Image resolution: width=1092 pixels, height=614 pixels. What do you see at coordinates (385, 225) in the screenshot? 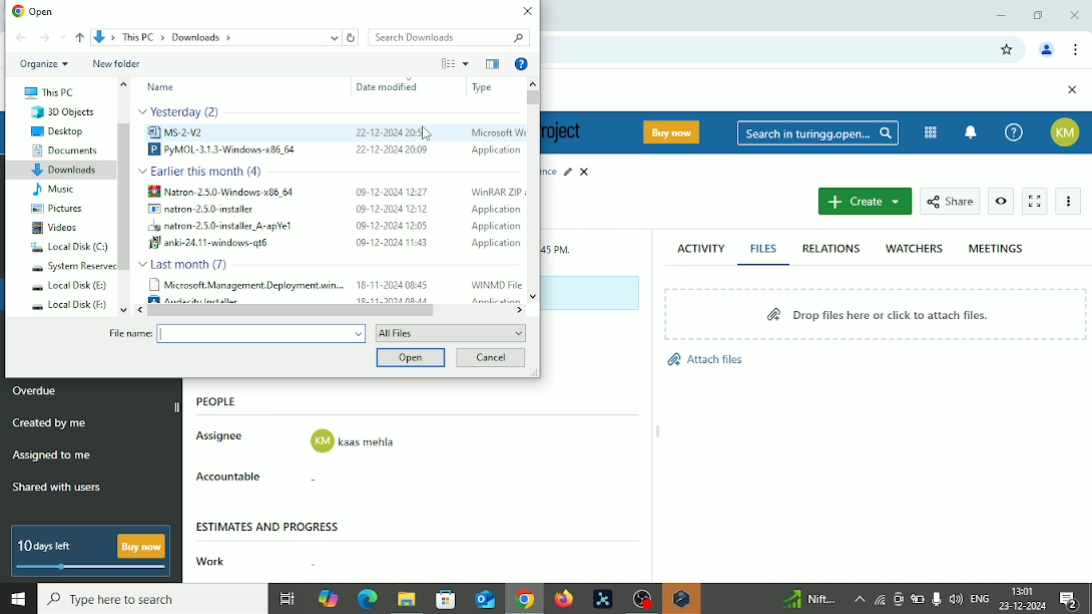
I see `09-12-2004 1205` at bounding box center [385, 225].